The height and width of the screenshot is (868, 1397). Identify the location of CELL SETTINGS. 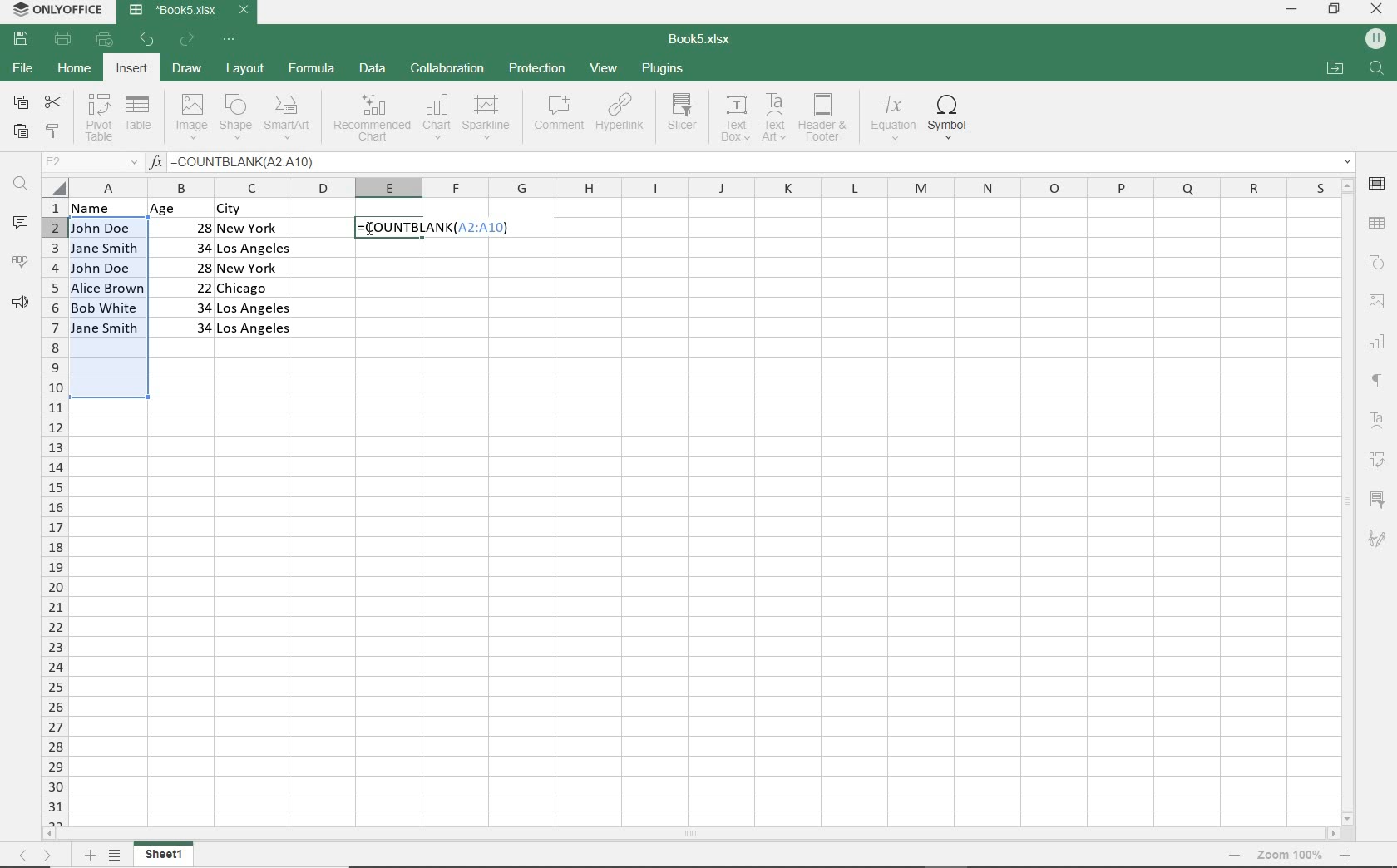
(1380, 184).